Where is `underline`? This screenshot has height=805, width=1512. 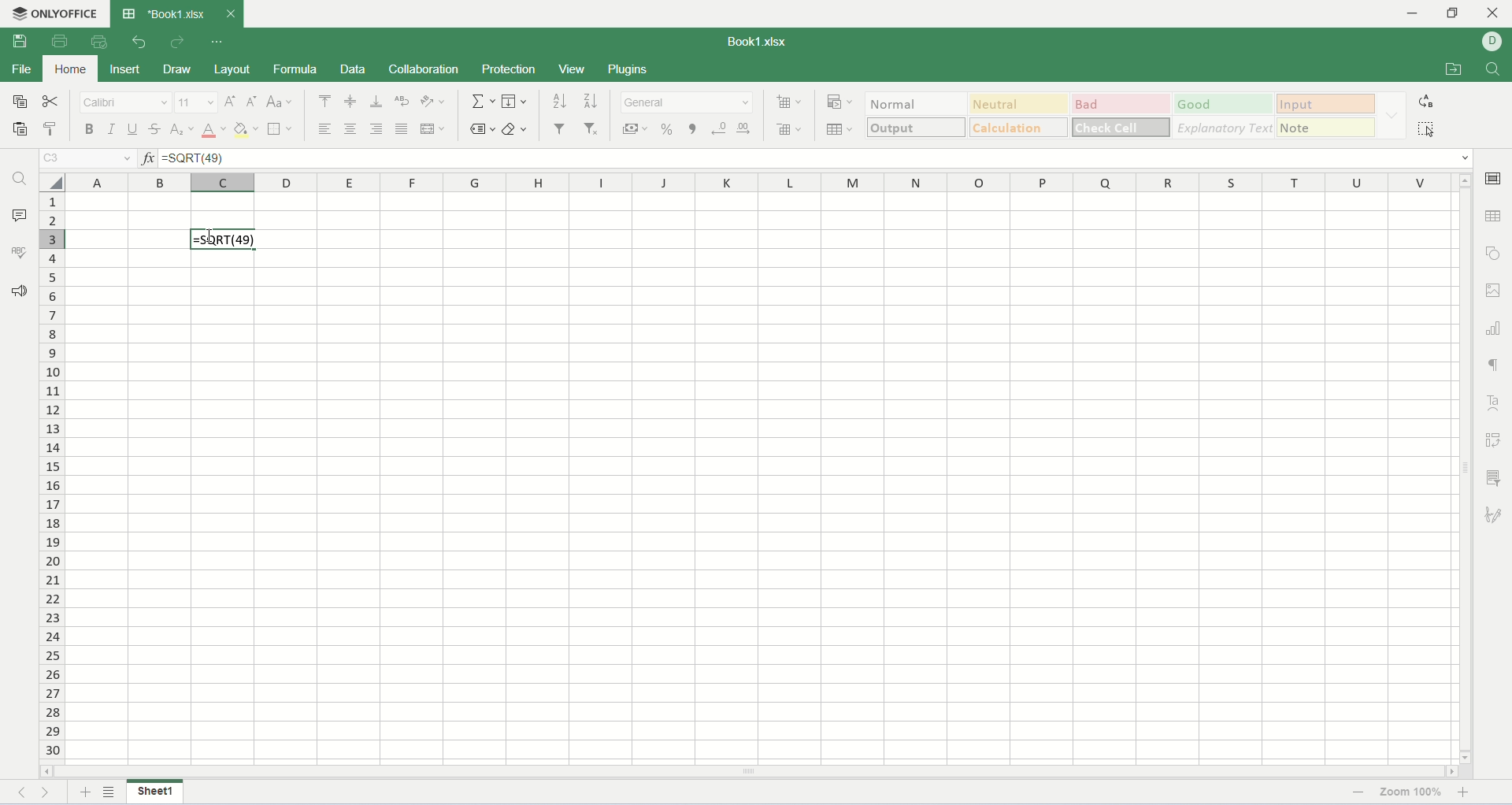 underline is located at coordinates (132, 128).